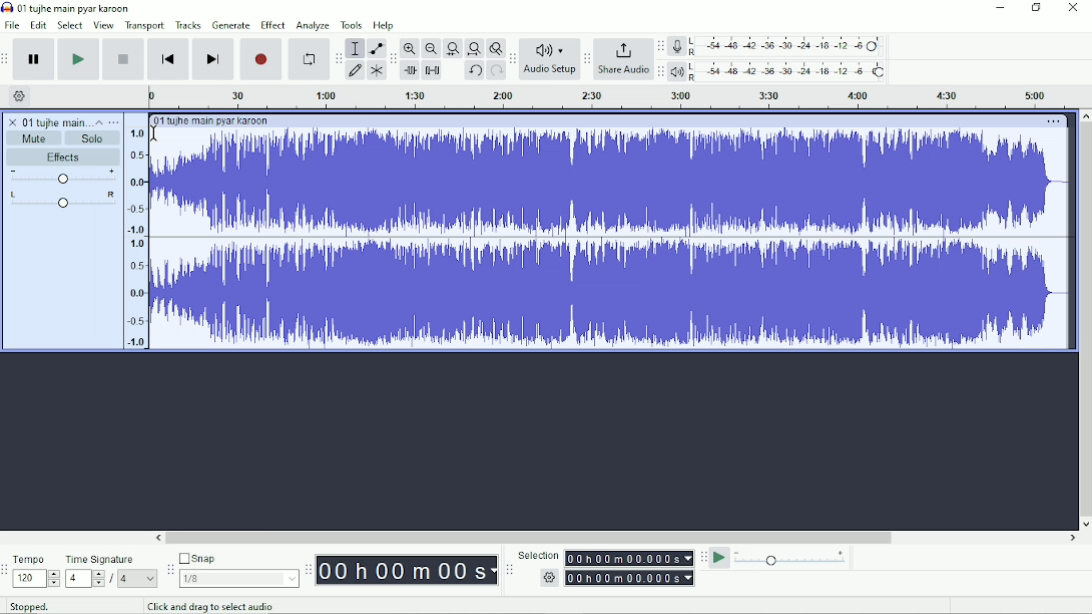 The image size is (1092, 614). What do you see at coordinates (1054, 122) in the screenshot?
I see `More options` at bounding box center [1054, 122].